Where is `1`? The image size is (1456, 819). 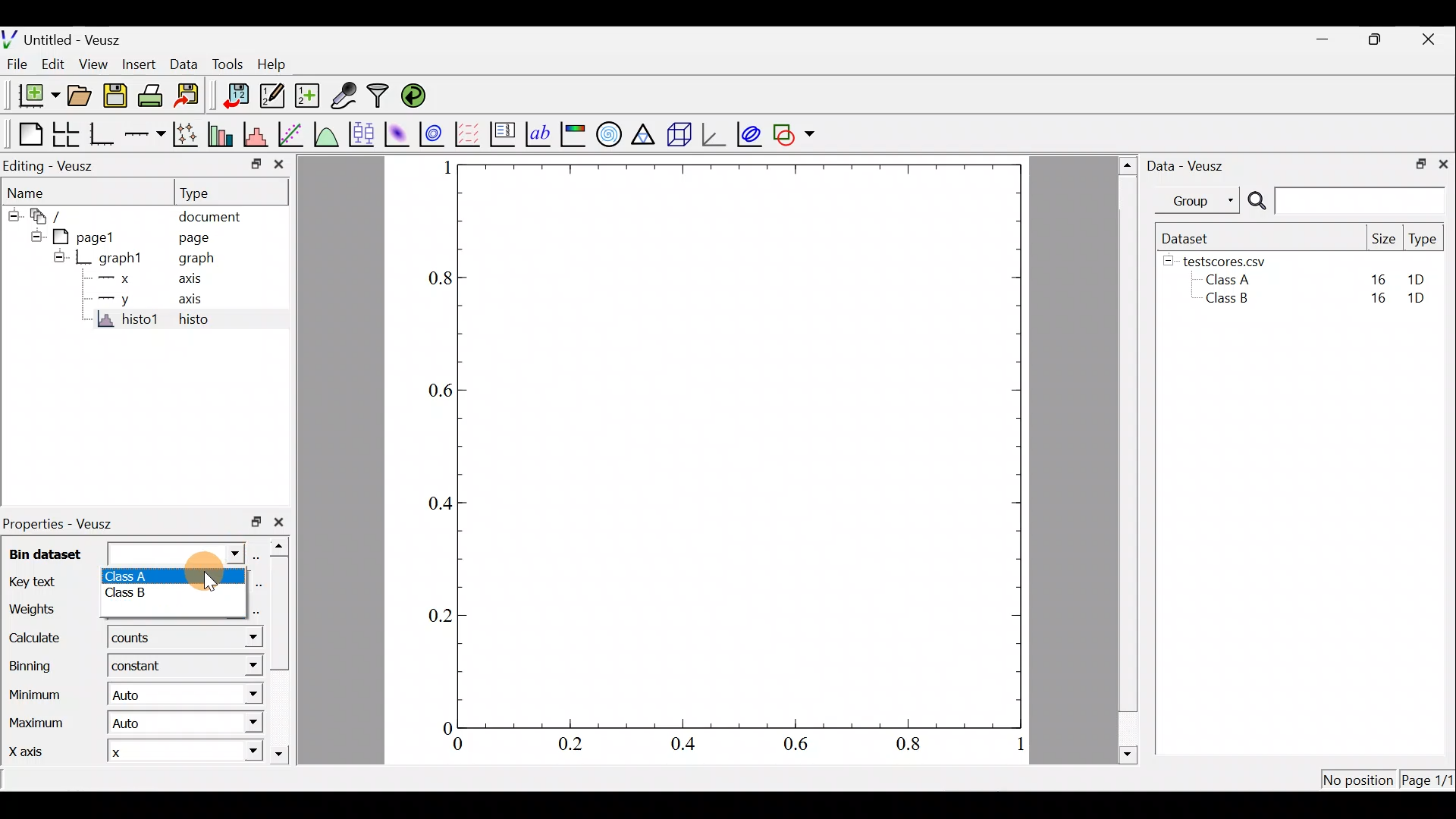
1 is located at coordinates (441, 170).